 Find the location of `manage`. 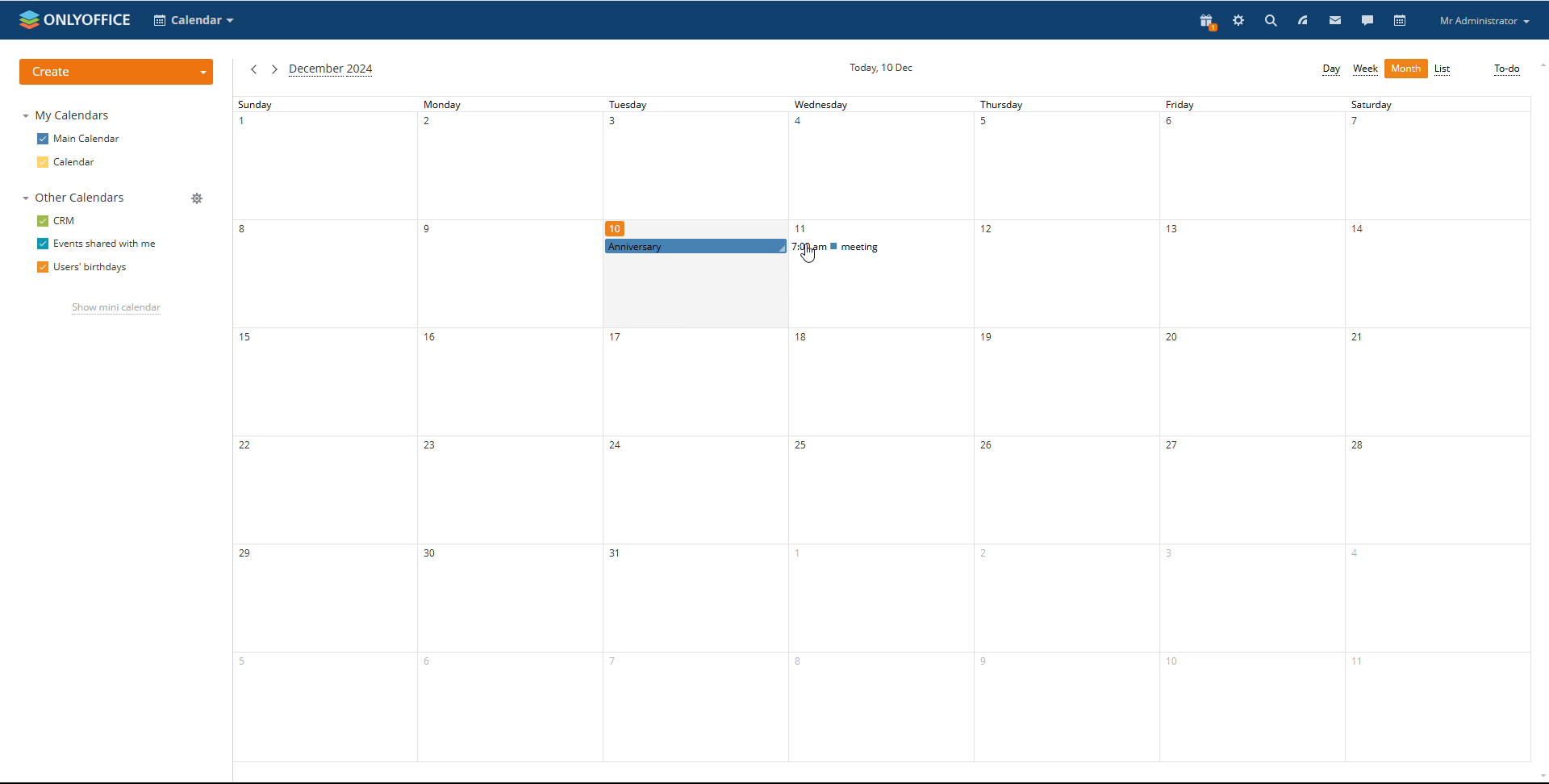

manage is located at coordinates (198, 199).